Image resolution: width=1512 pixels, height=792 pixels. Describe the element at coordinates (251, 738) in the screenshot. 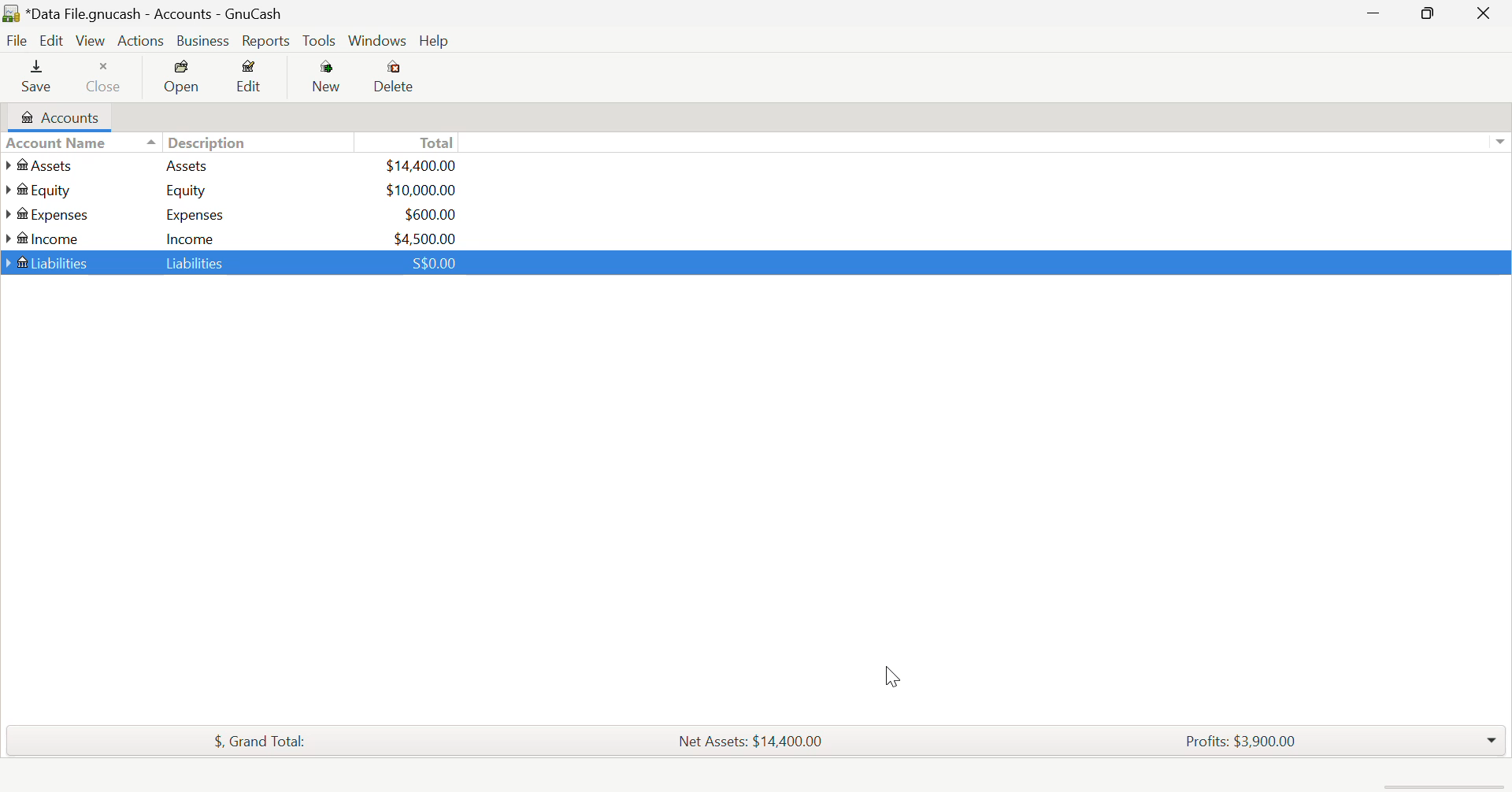

I see `Total` at that location.